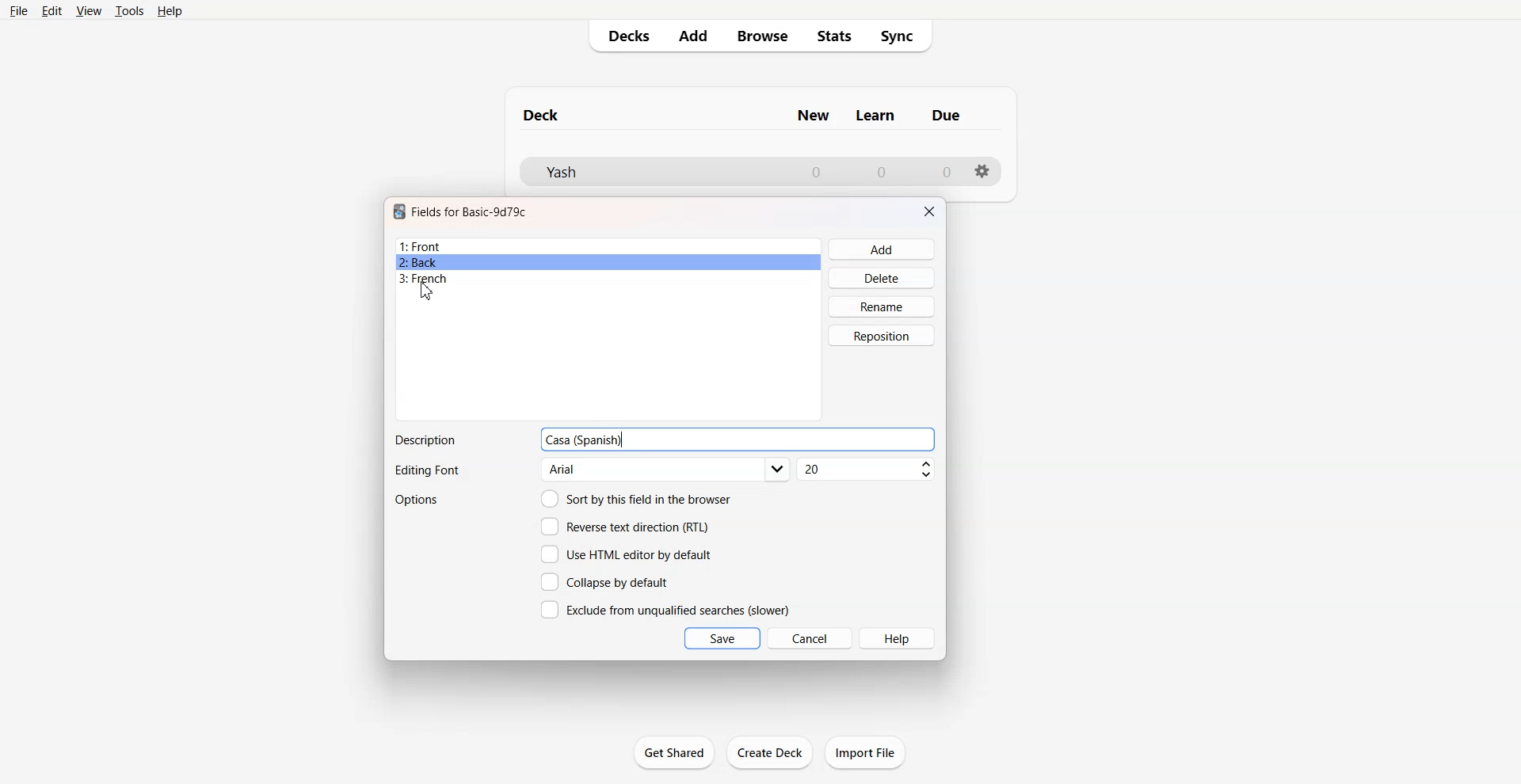 Image resolution: width=1521 pixels, height=784 pixels. I want to click on Front, so click(608, 246).